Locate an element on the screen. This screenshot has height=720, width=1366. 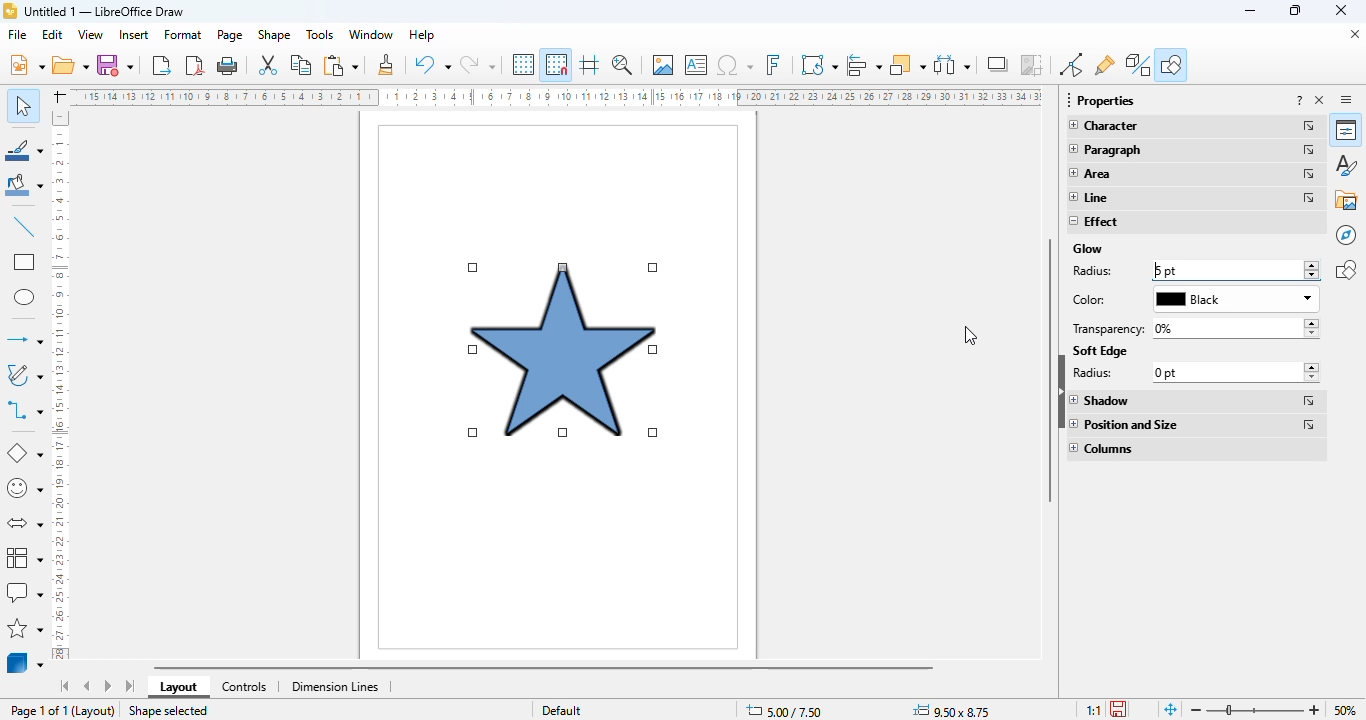
columns is located at coordinates (1101, 447).